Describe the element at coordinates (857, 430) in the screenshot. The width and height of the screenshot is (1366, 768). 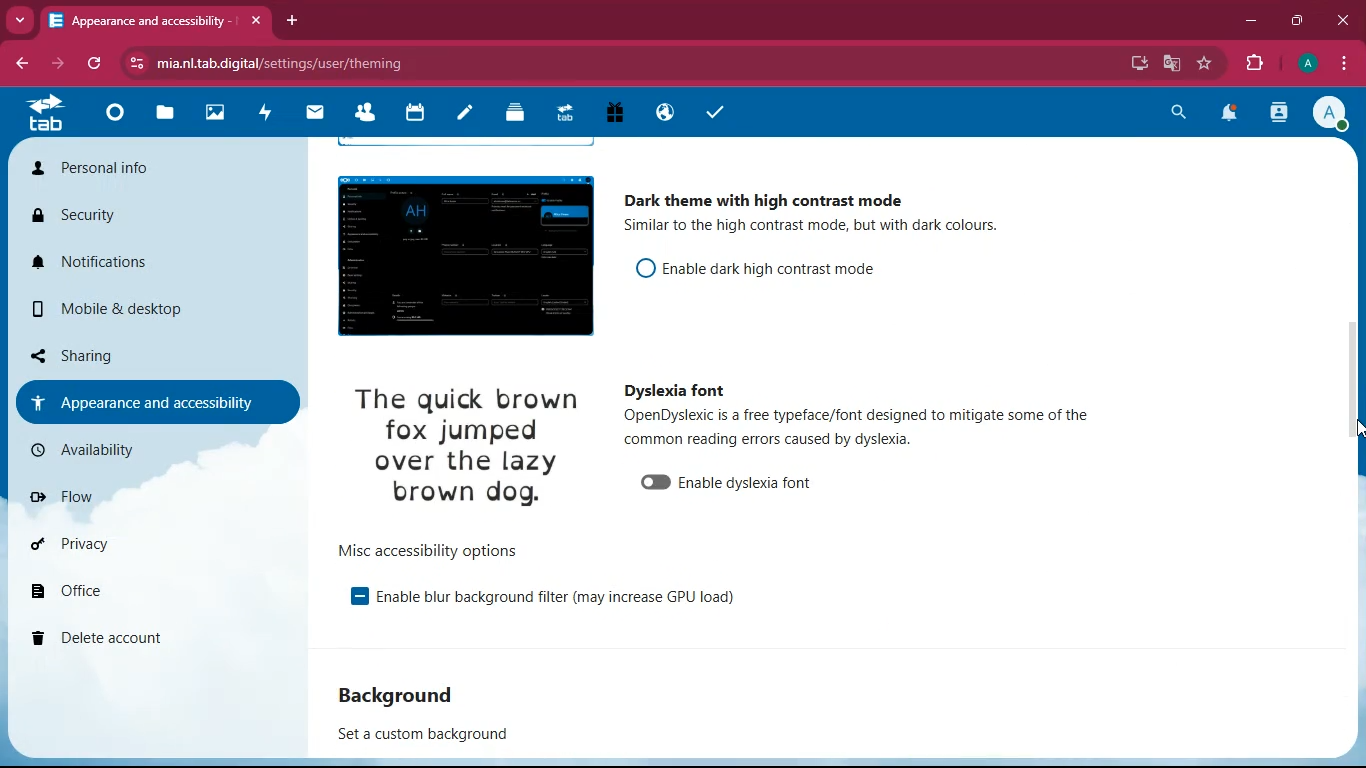
I see `description` at that location.